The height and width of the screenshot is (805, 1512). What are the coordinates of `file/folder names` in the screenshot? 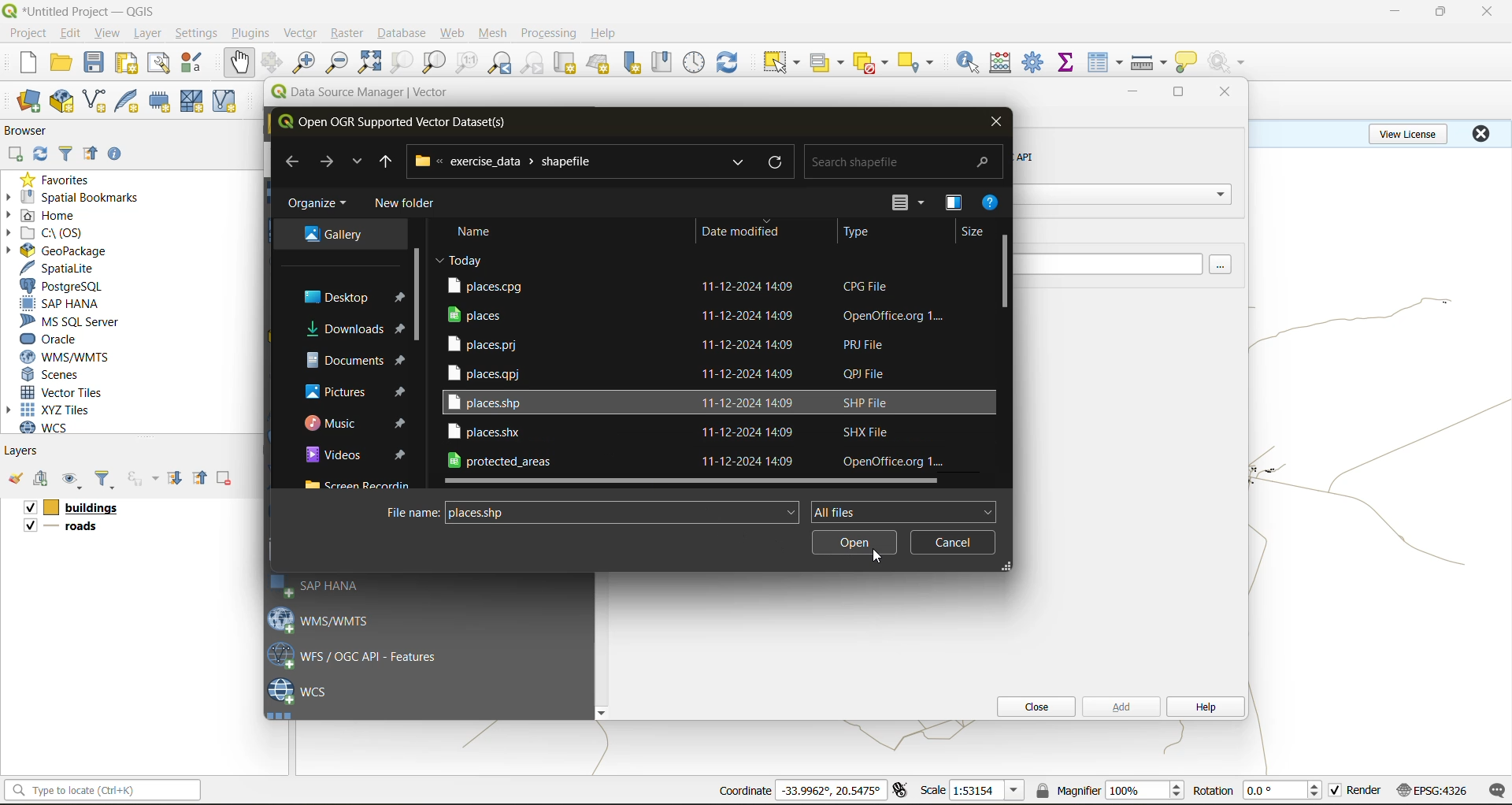 It's located at (671, 343).